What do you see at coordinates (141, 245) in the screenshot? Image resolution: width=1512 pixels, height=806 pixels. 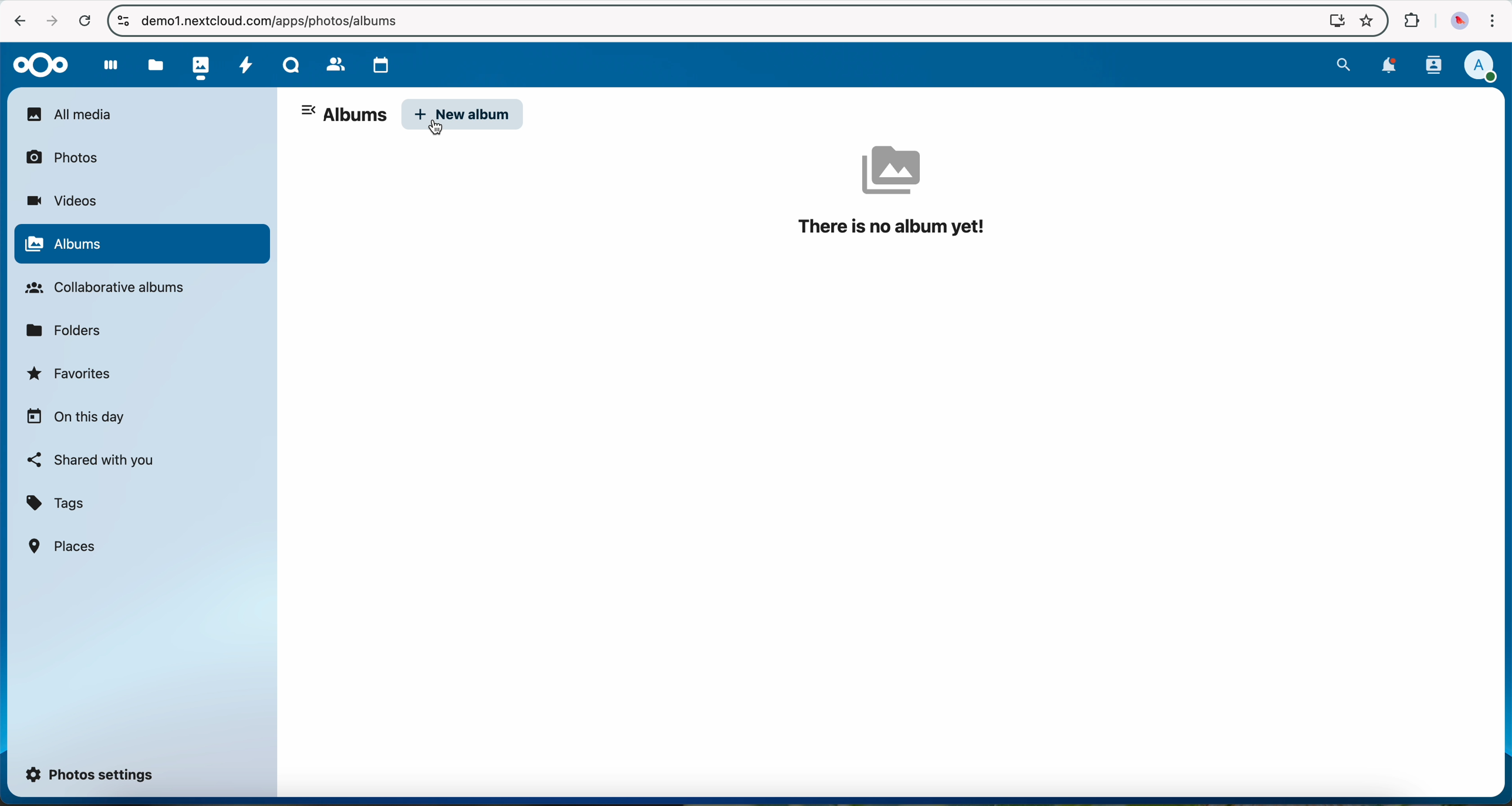 I see `click on albums` at bounding box center [141, 245].